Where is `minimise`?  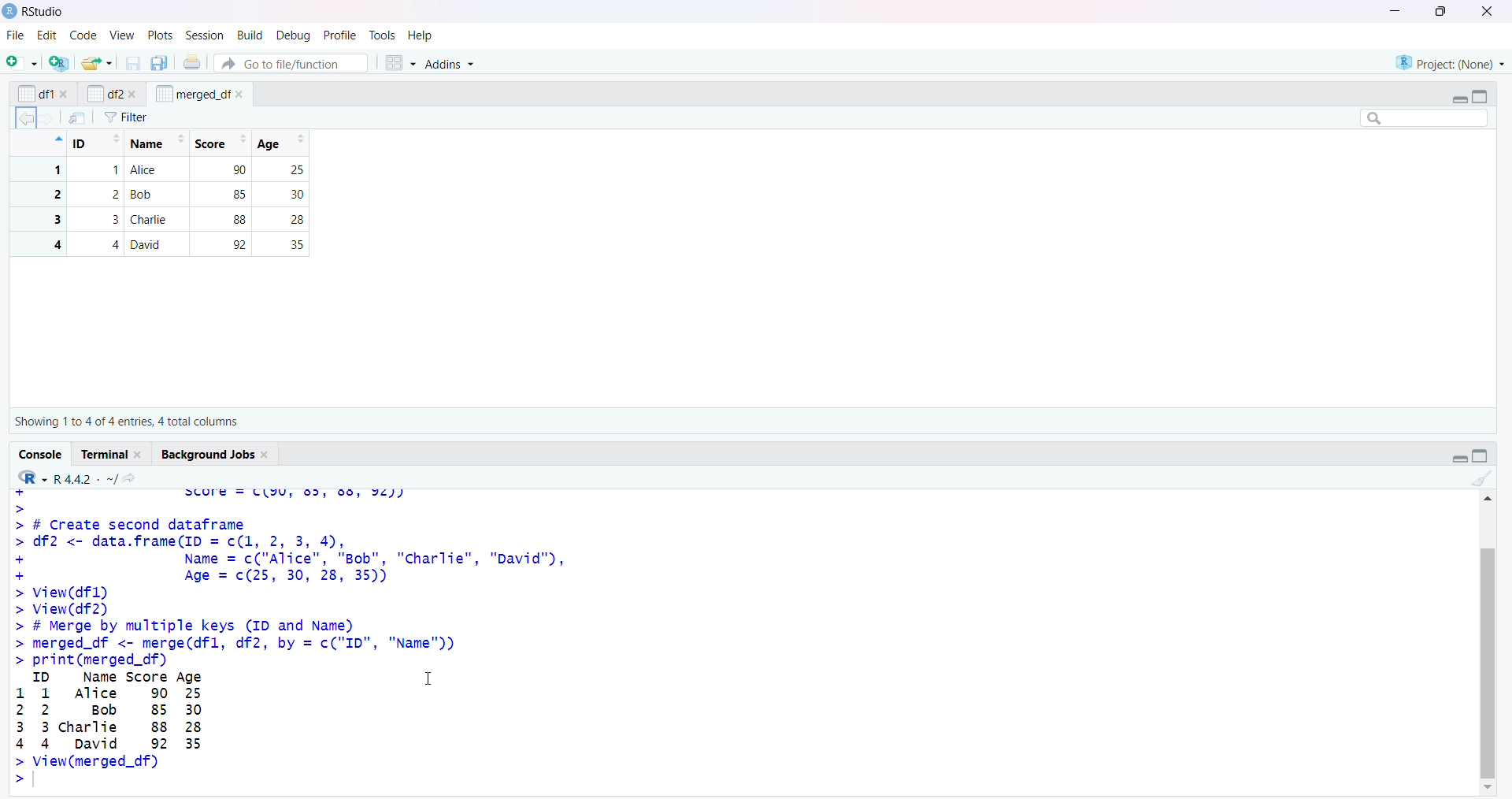 minimise is located at coordinates (1395, 10).